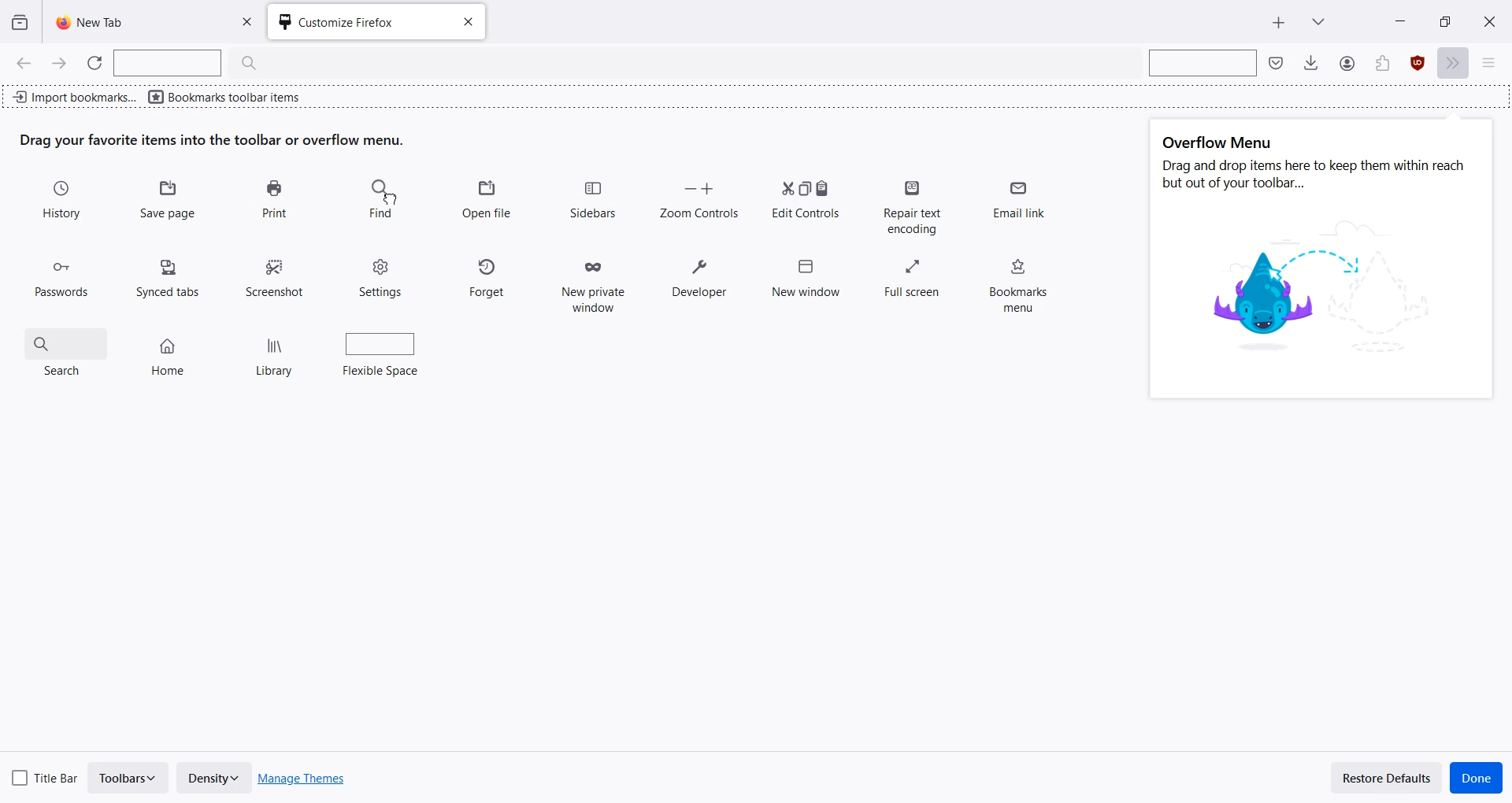 Image resolution: width=1512 pixels, height=803 pixels. I want to click on New Window, so click(805, 273).